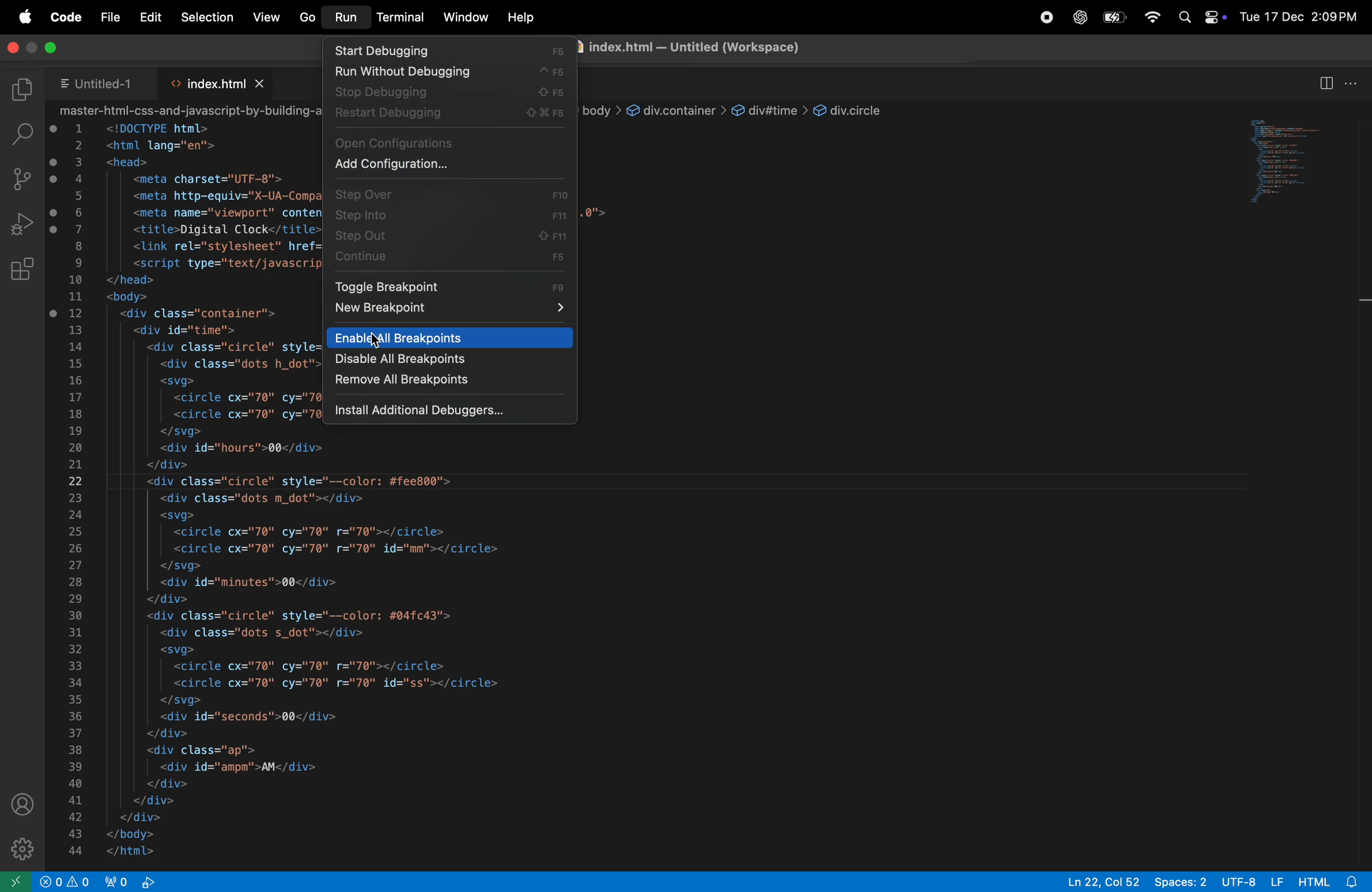 This screenshot has width=1372, height=892. What do you see at coordinates (1150, 17) in the screenshot?
I see `wifi` at bounding box center [1150, 17].